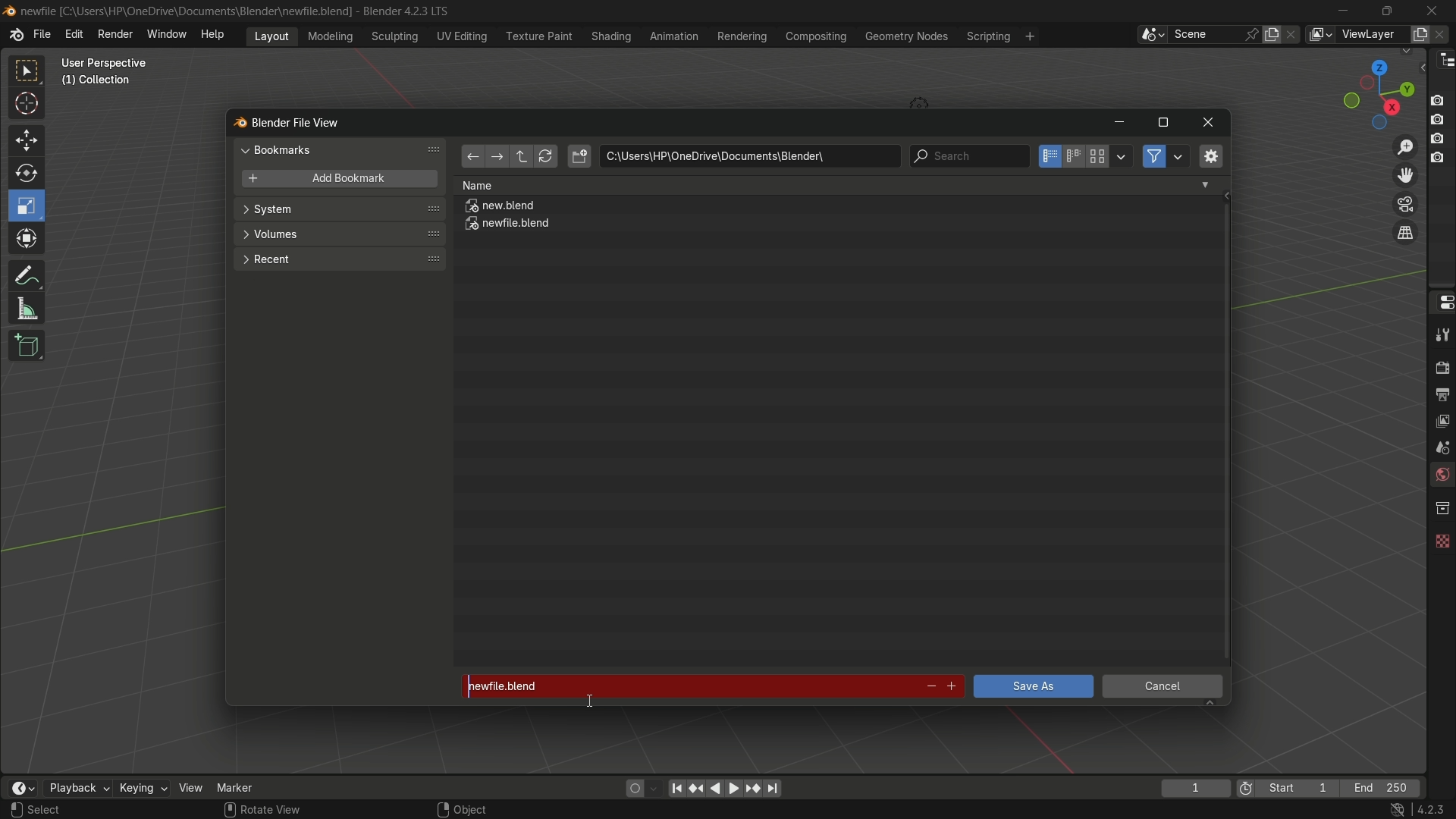 This screenshot has width=1456, height=819. What do you see at coordinates (1441, 476) in the screenshot?
I see `world` at bounding box center [1441, 476].